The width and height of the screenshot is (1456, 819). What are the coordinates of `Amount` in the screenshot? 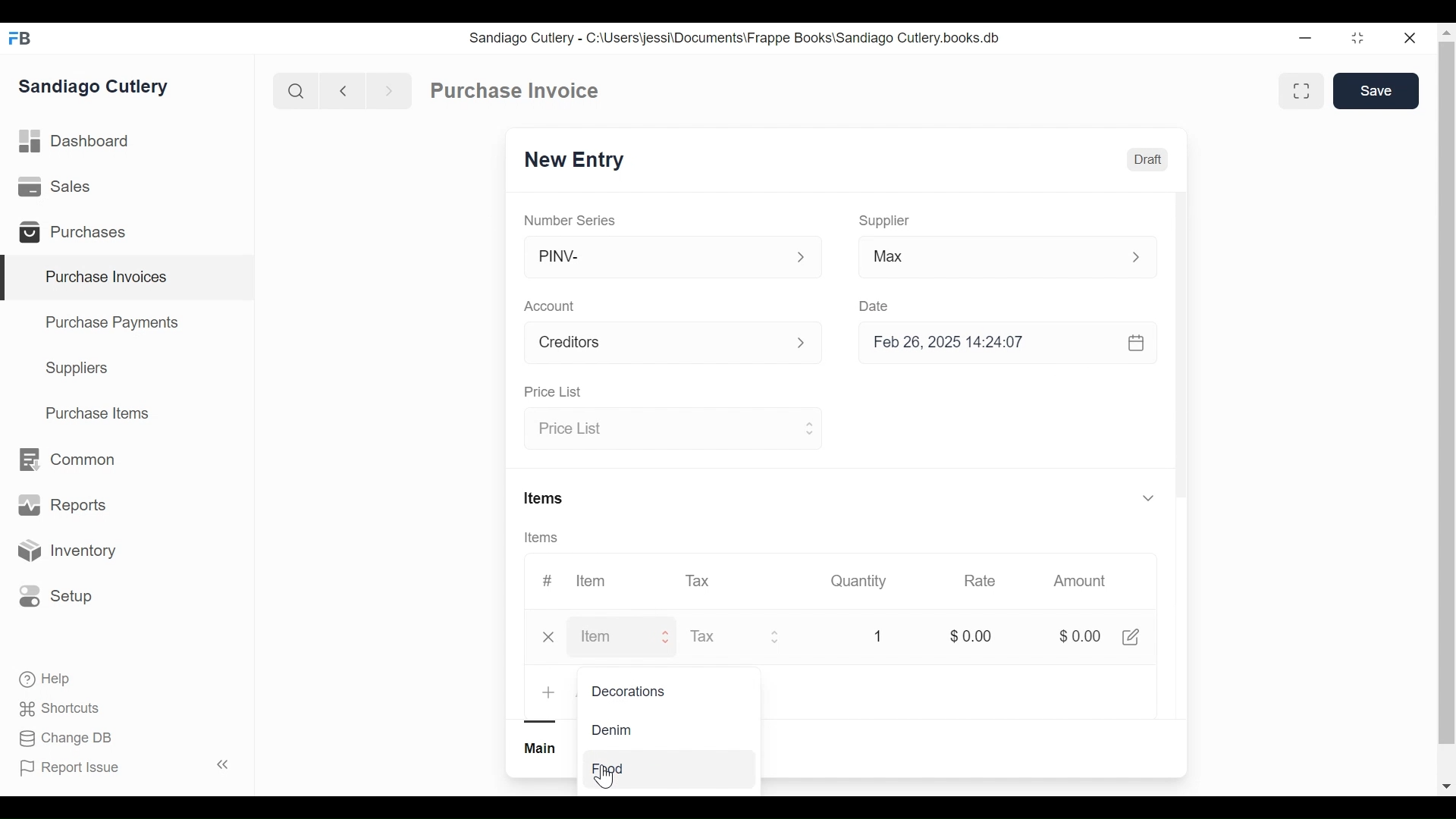 It's located at (1081, 582).